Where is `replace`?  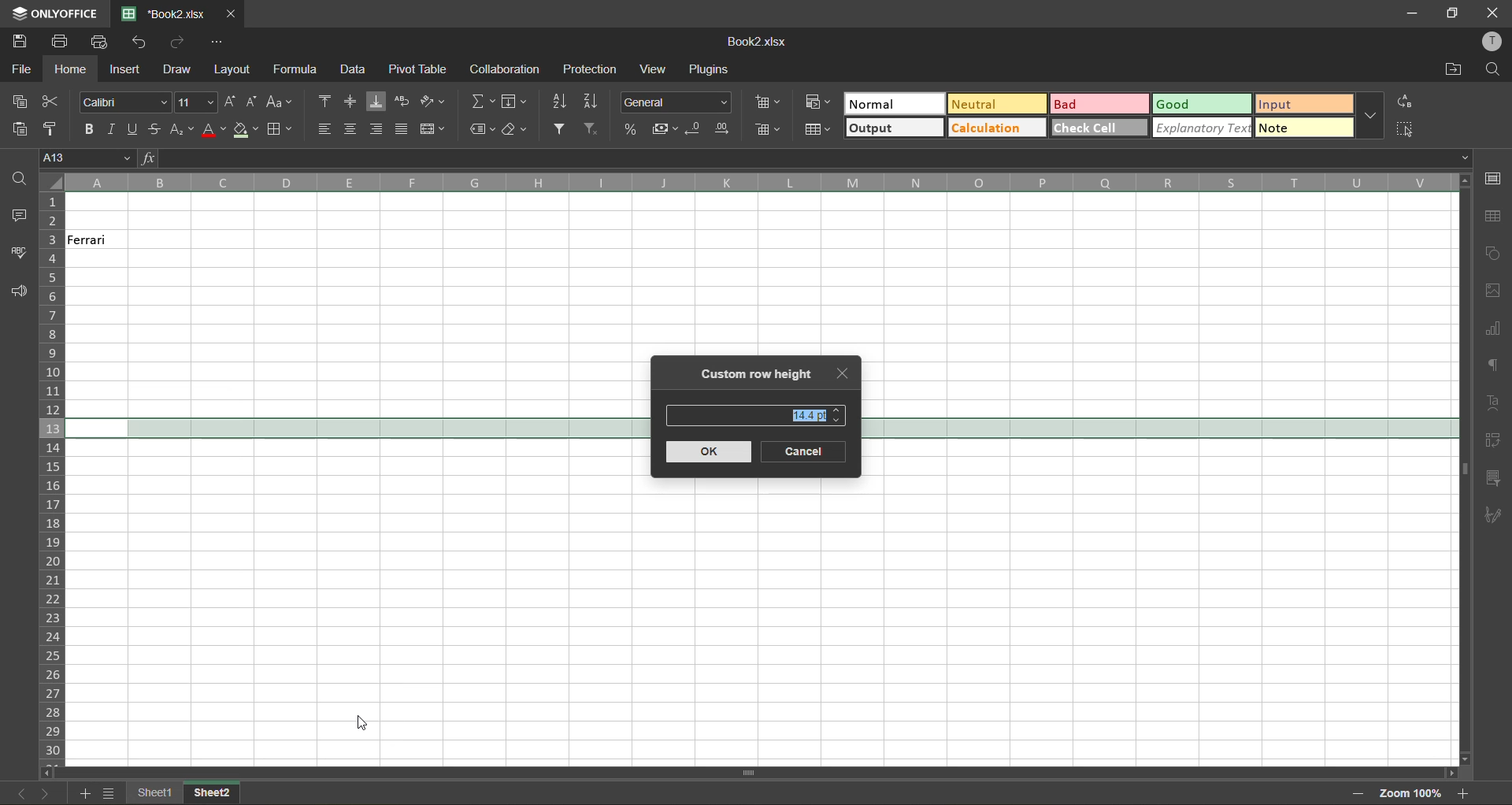 replace is located at coordinates (1403, 100).